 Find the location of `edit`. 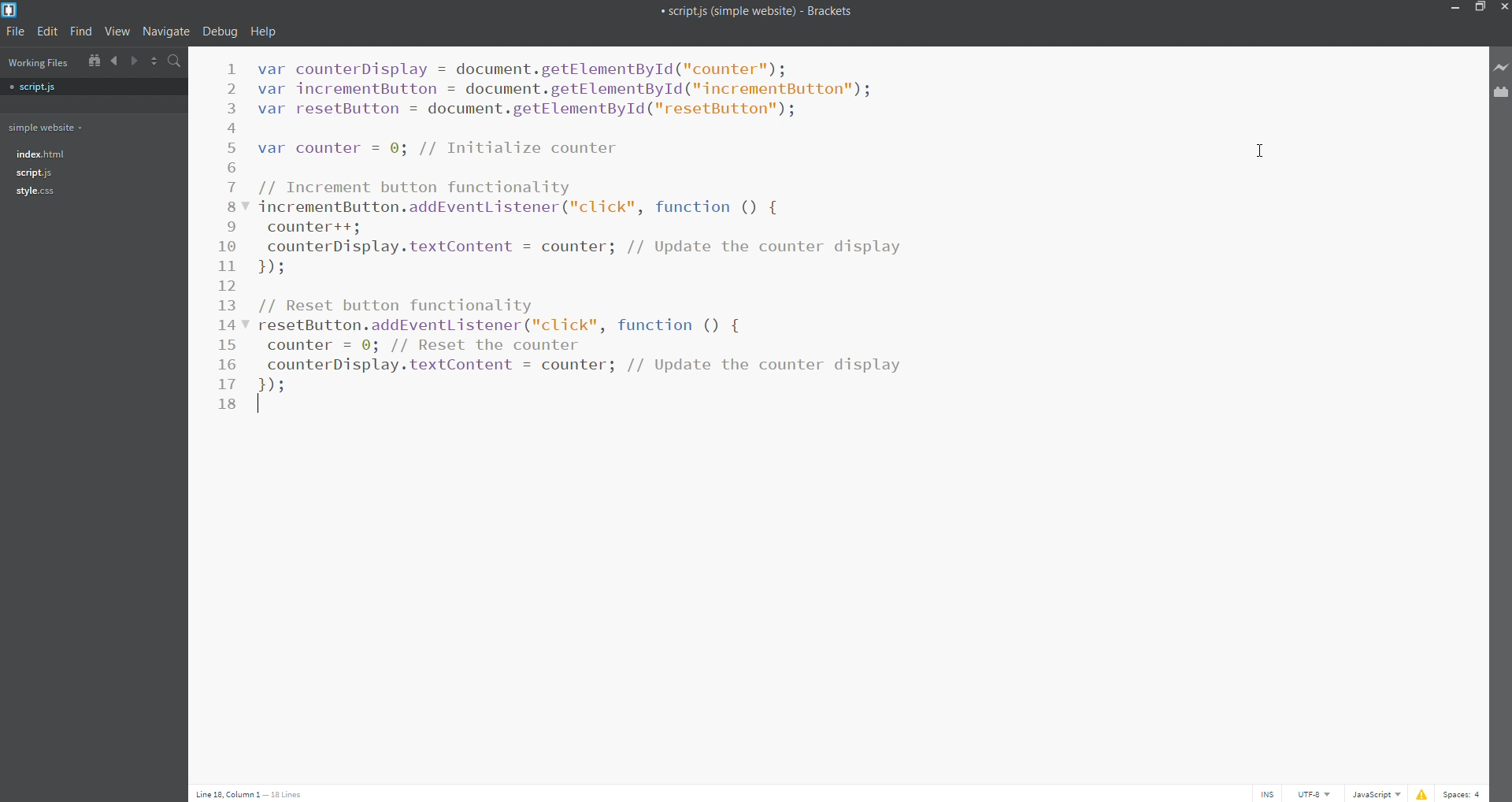

edit is located at coordinates (48, 32).